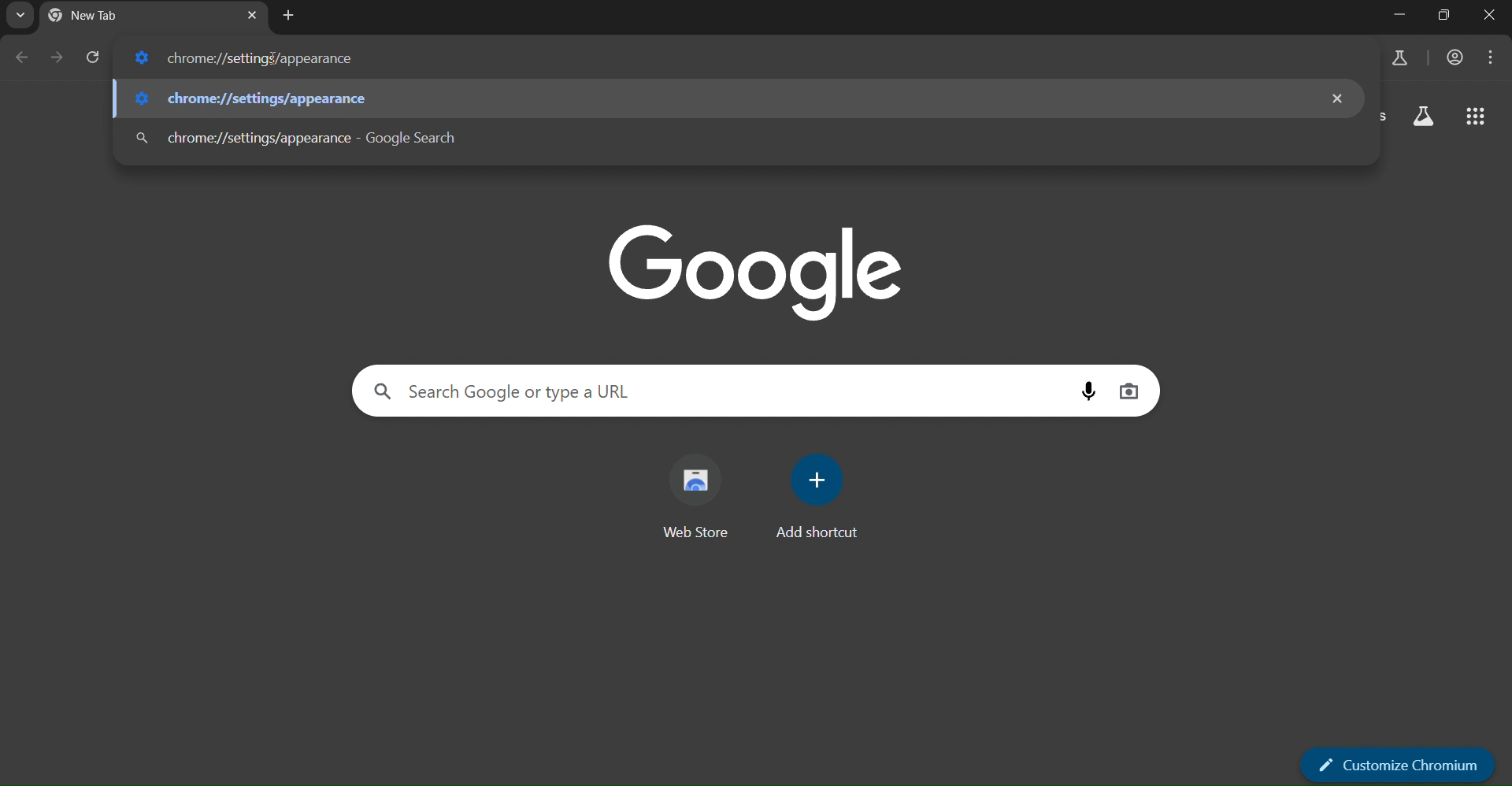 The height and width of the screenshot is (786, 1512). I want to click on image search, so click(1129, 391).